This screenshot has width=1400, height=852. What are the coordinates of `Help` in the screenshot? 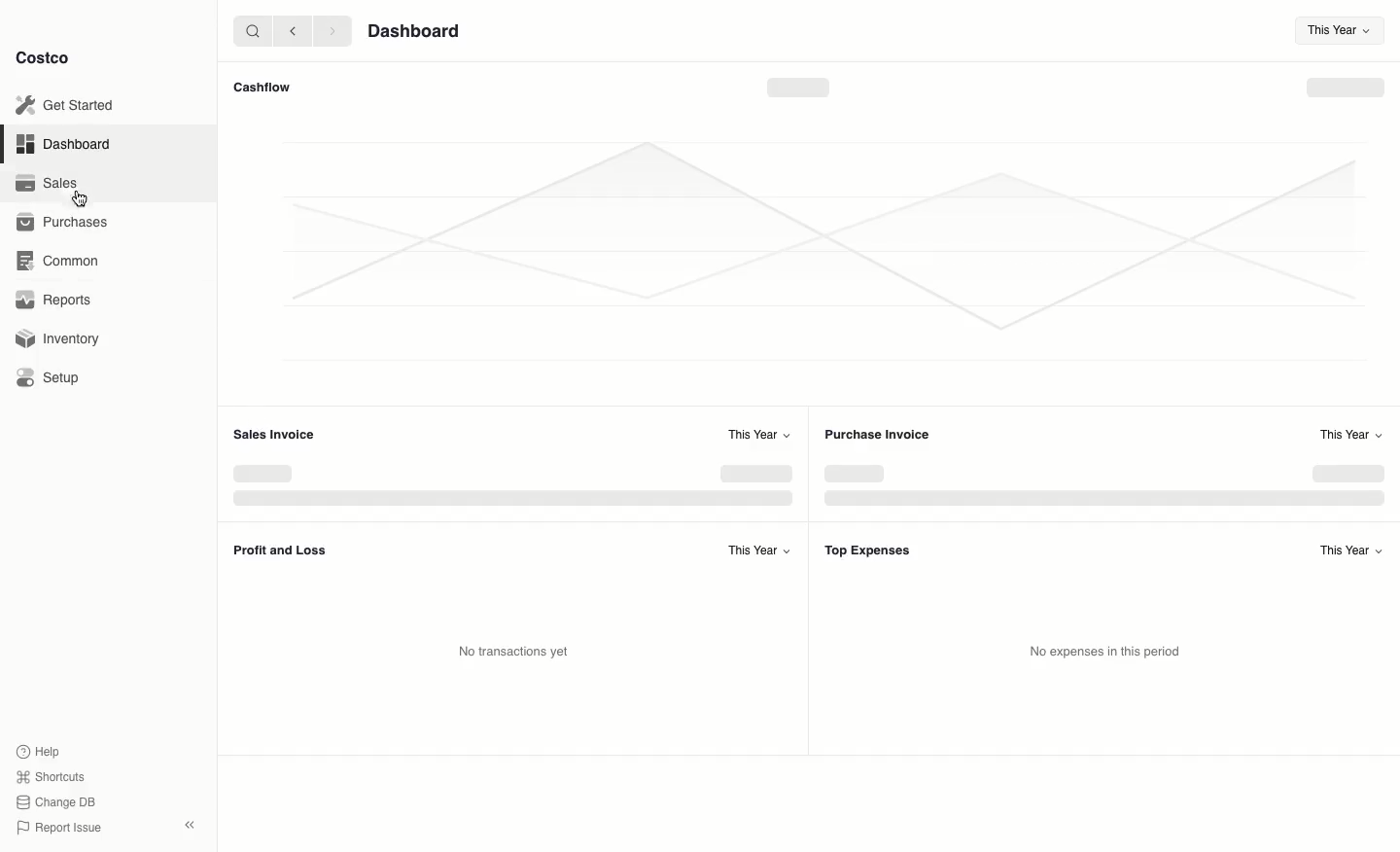 It's located at (40, 750).